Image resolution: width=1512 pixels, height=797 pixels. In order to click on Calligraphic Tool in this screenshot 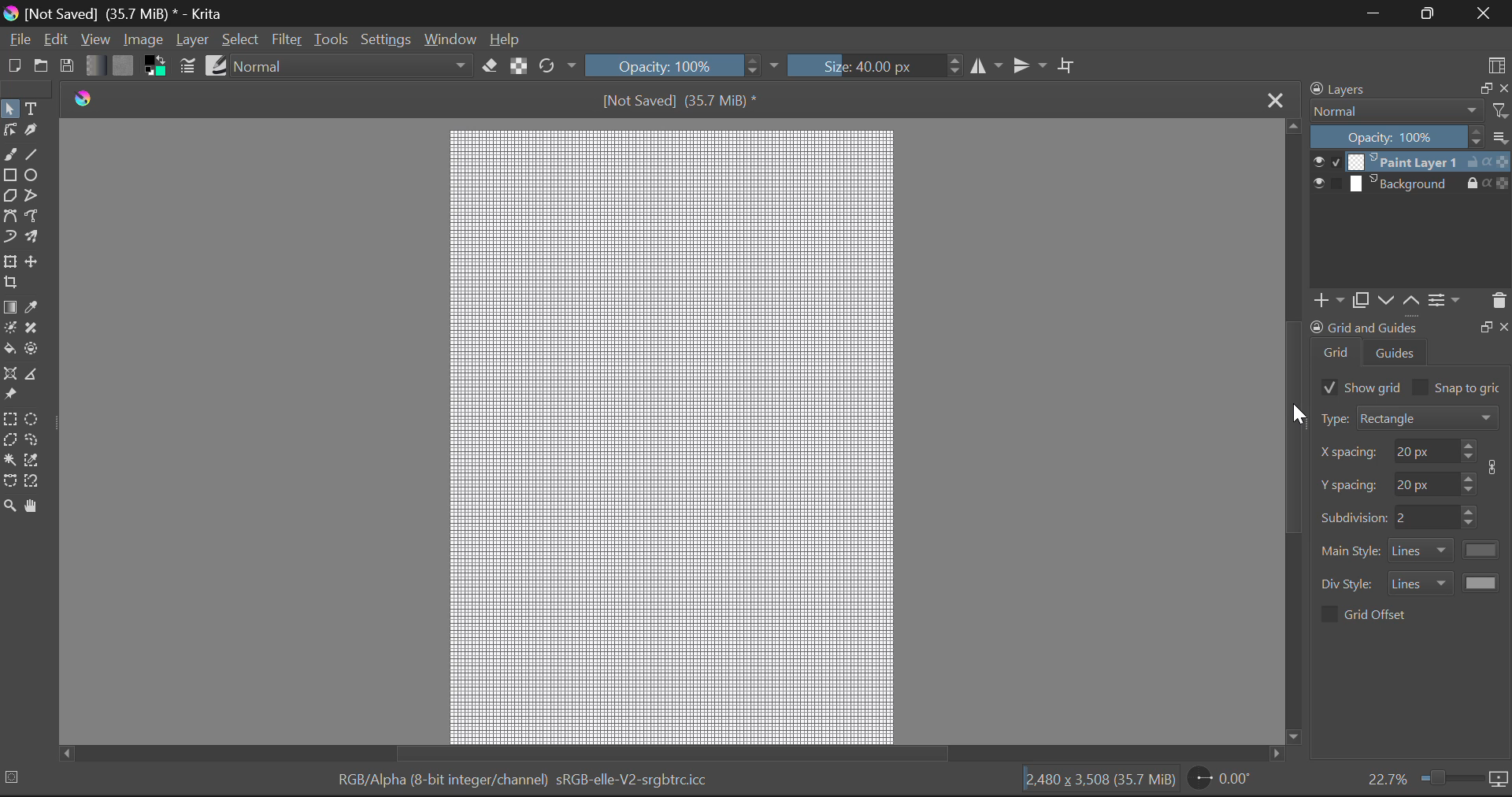, I will do `click(34, 134)`.